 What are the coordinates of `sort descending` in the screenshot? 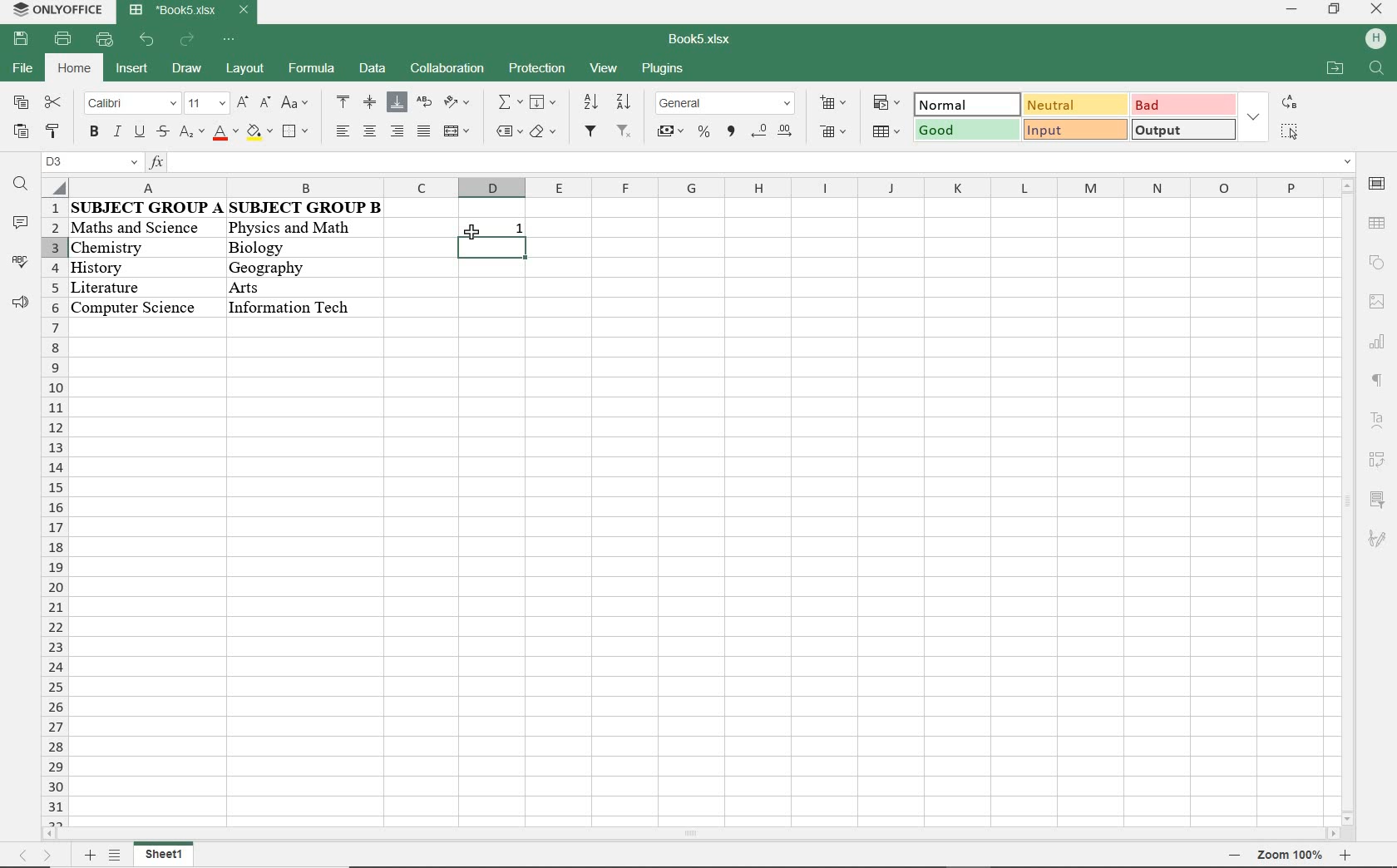 It's located at (624, 102).